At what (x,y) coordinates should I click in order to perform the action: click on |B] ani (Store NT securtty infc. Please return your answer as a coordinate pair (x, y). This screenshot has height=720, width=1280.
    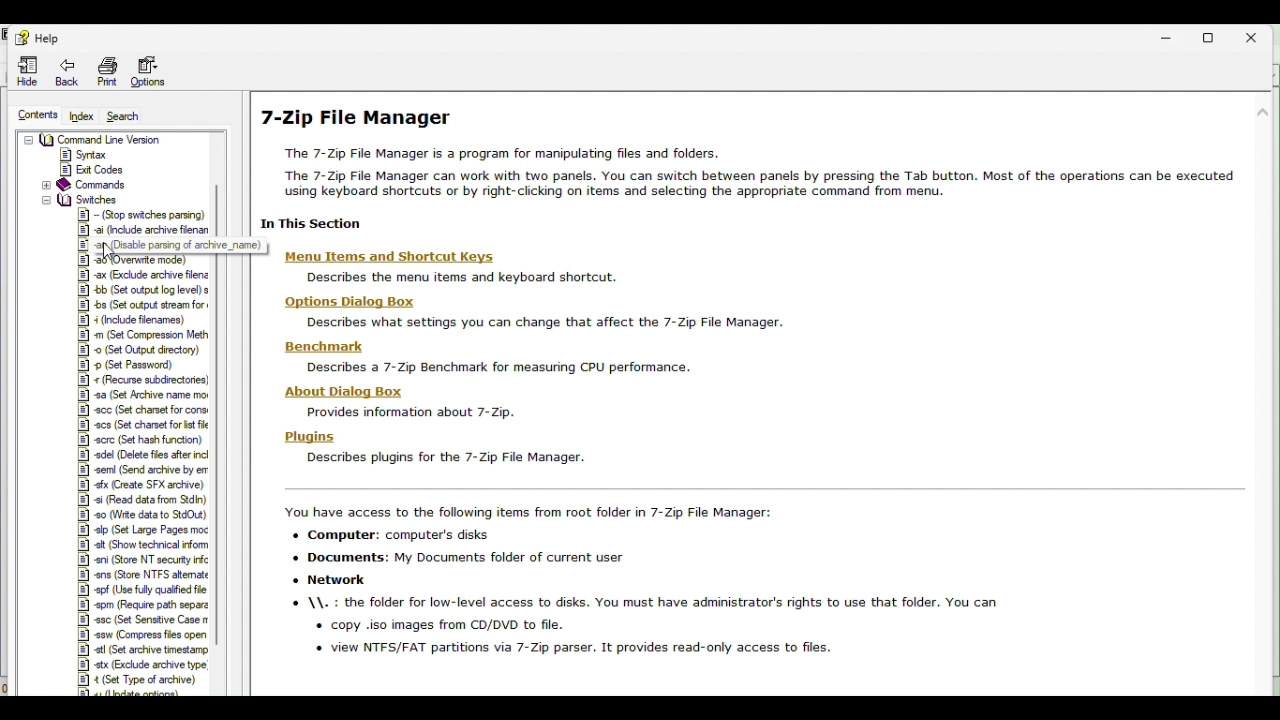
    Looking at the image, I should click on (141, 560).